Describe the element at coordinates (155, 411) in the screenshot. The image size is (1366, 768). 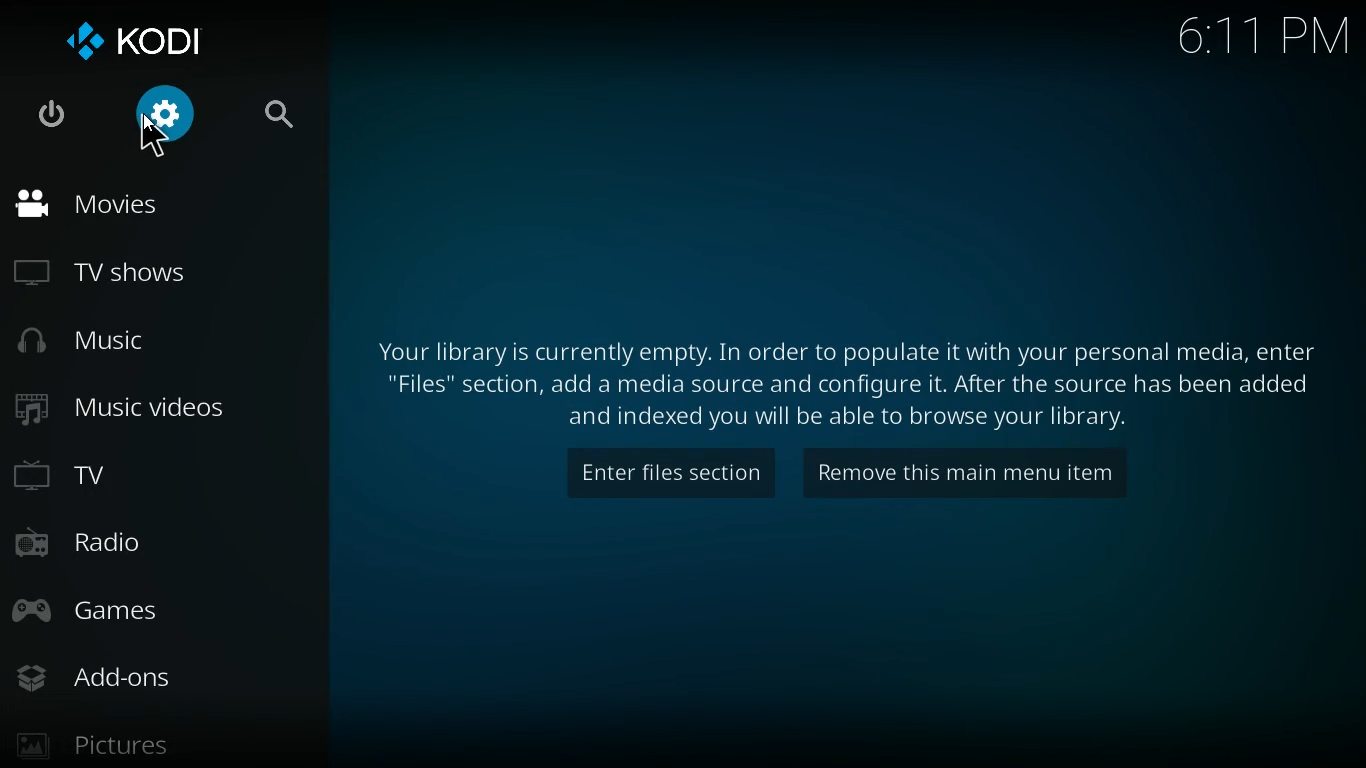
I see `music videos` at that location.